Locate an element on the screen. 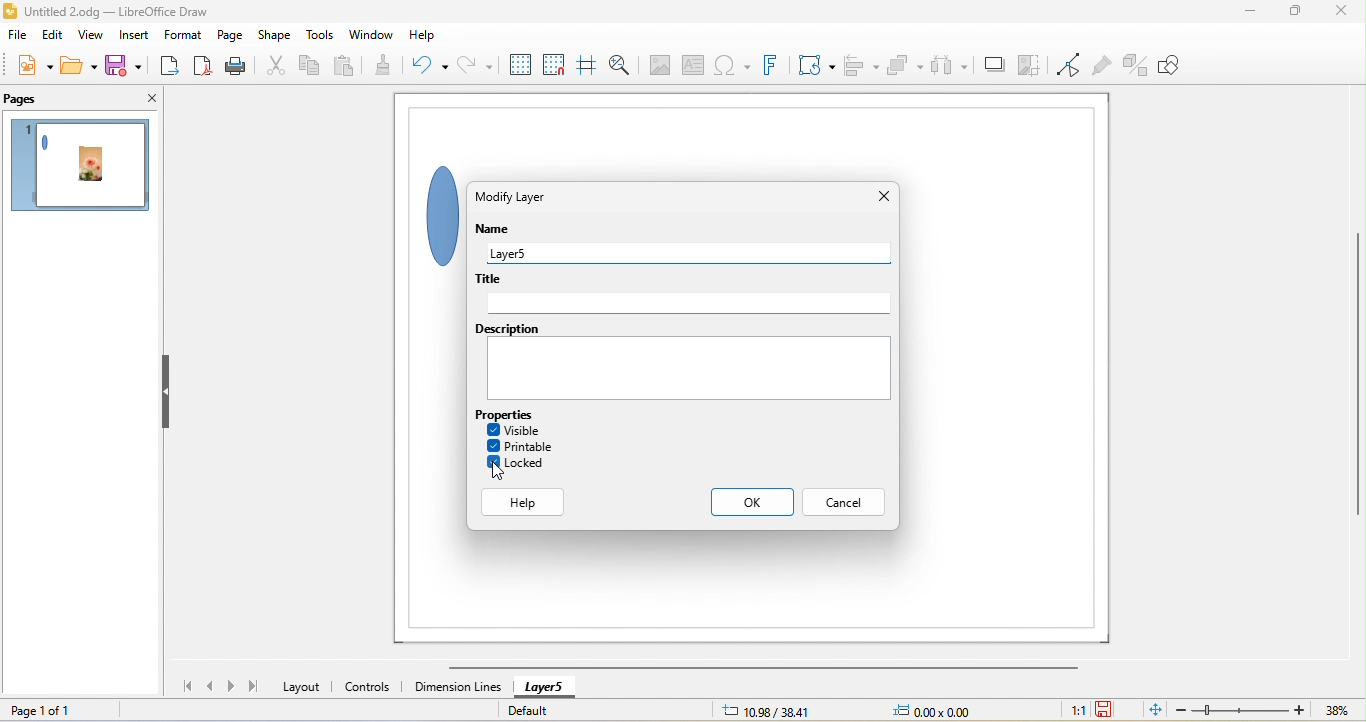  redo is located at coordinates (473, 67).